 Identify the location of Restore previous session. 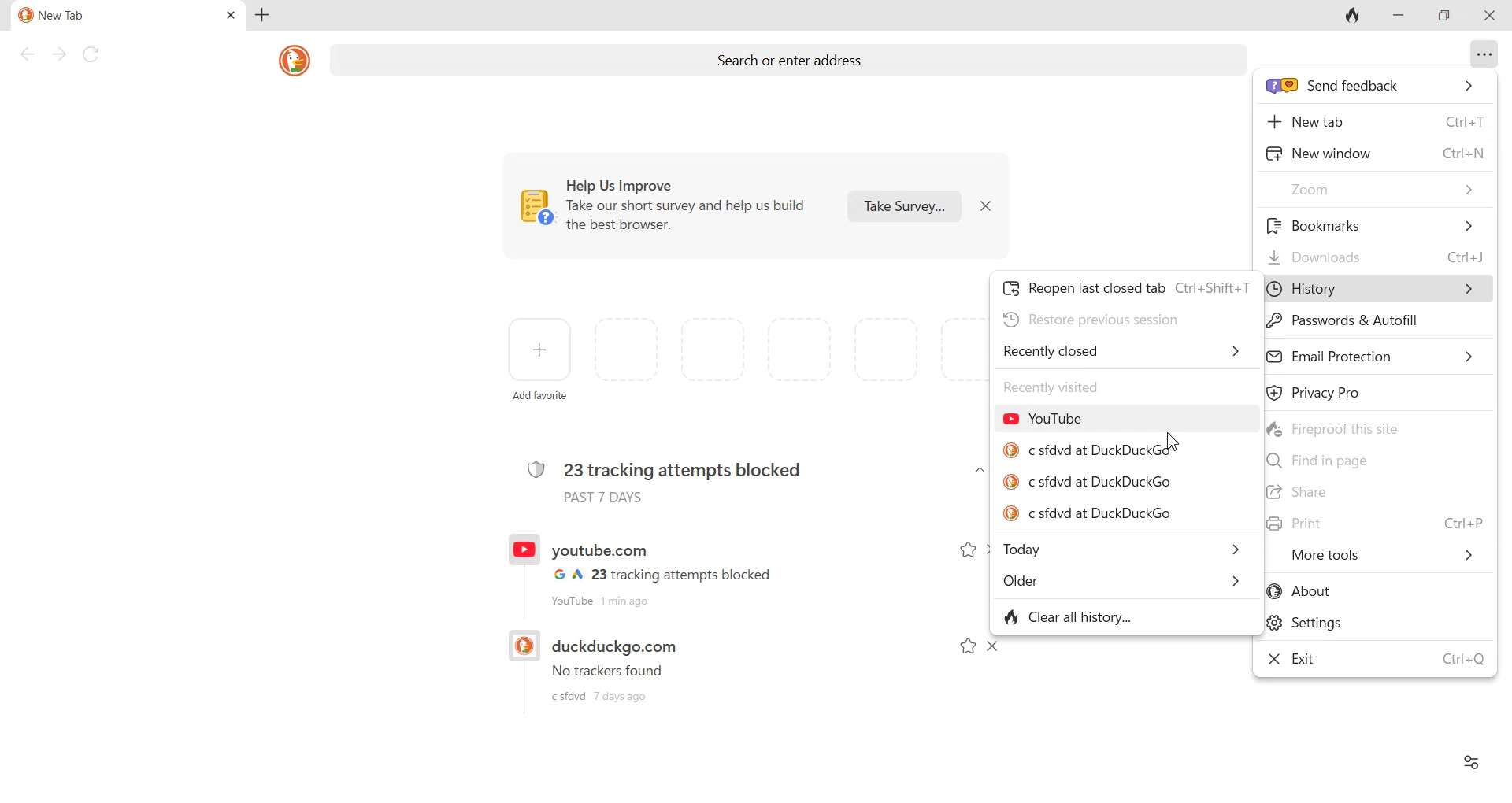
(1092, 320).